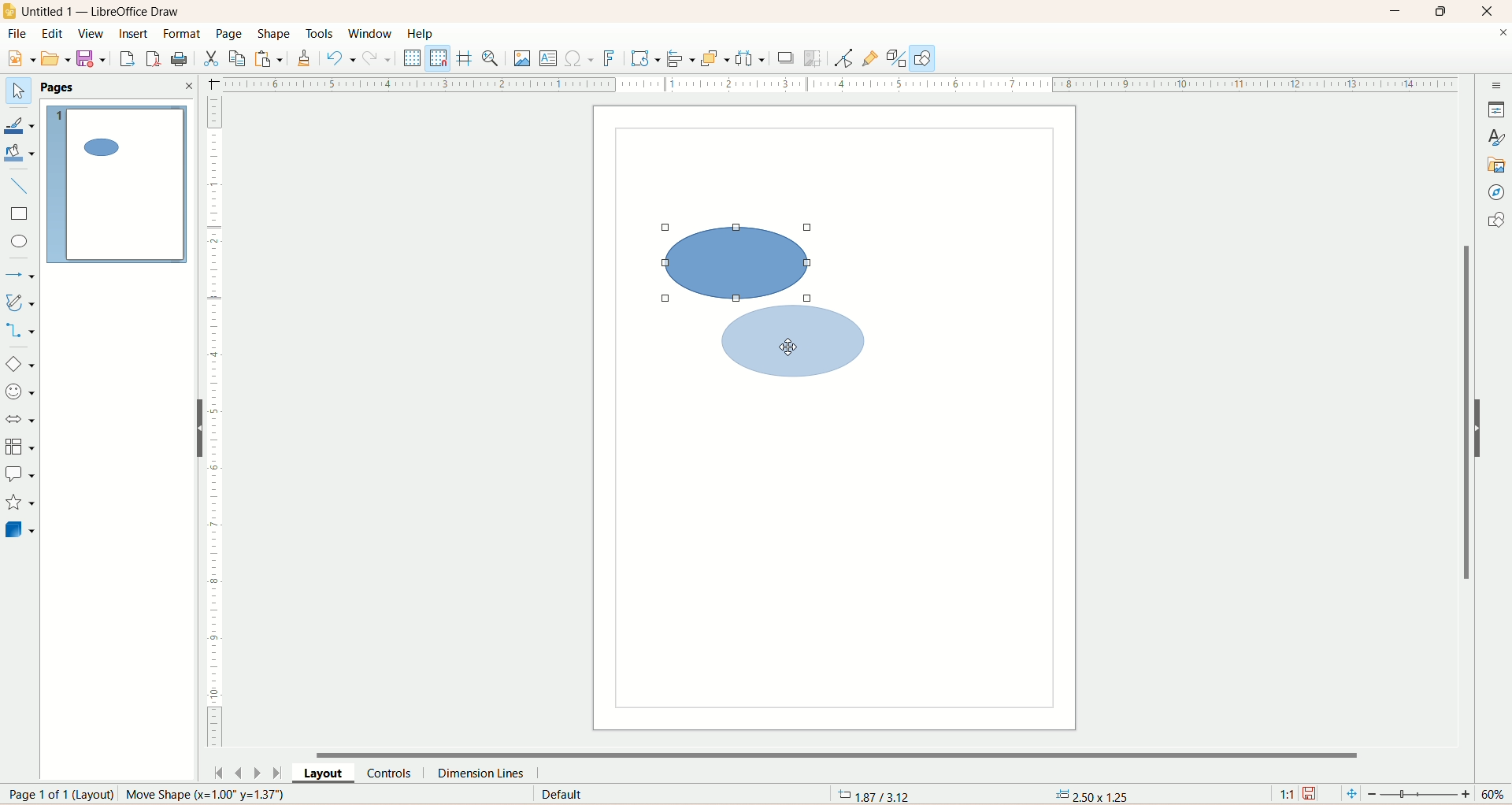  What do you see at coordinates (371, 35) in the screenshot?
I see `window` at bounding box center [371, 35].